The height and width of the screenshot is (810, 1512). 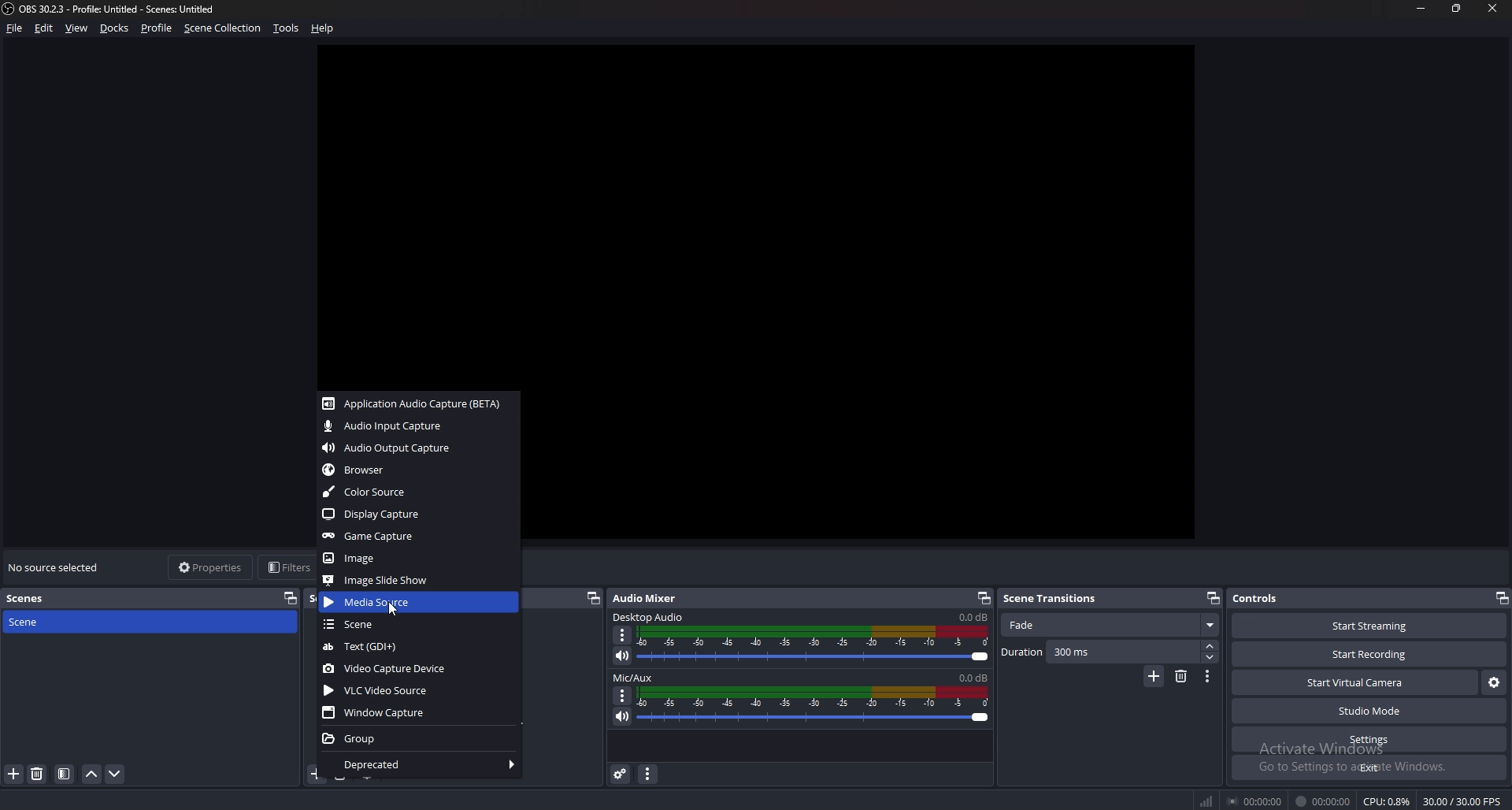 What do you see at coordinates (17, 28) in the screenshot?
I see `File` at bounding box center [17, 28].